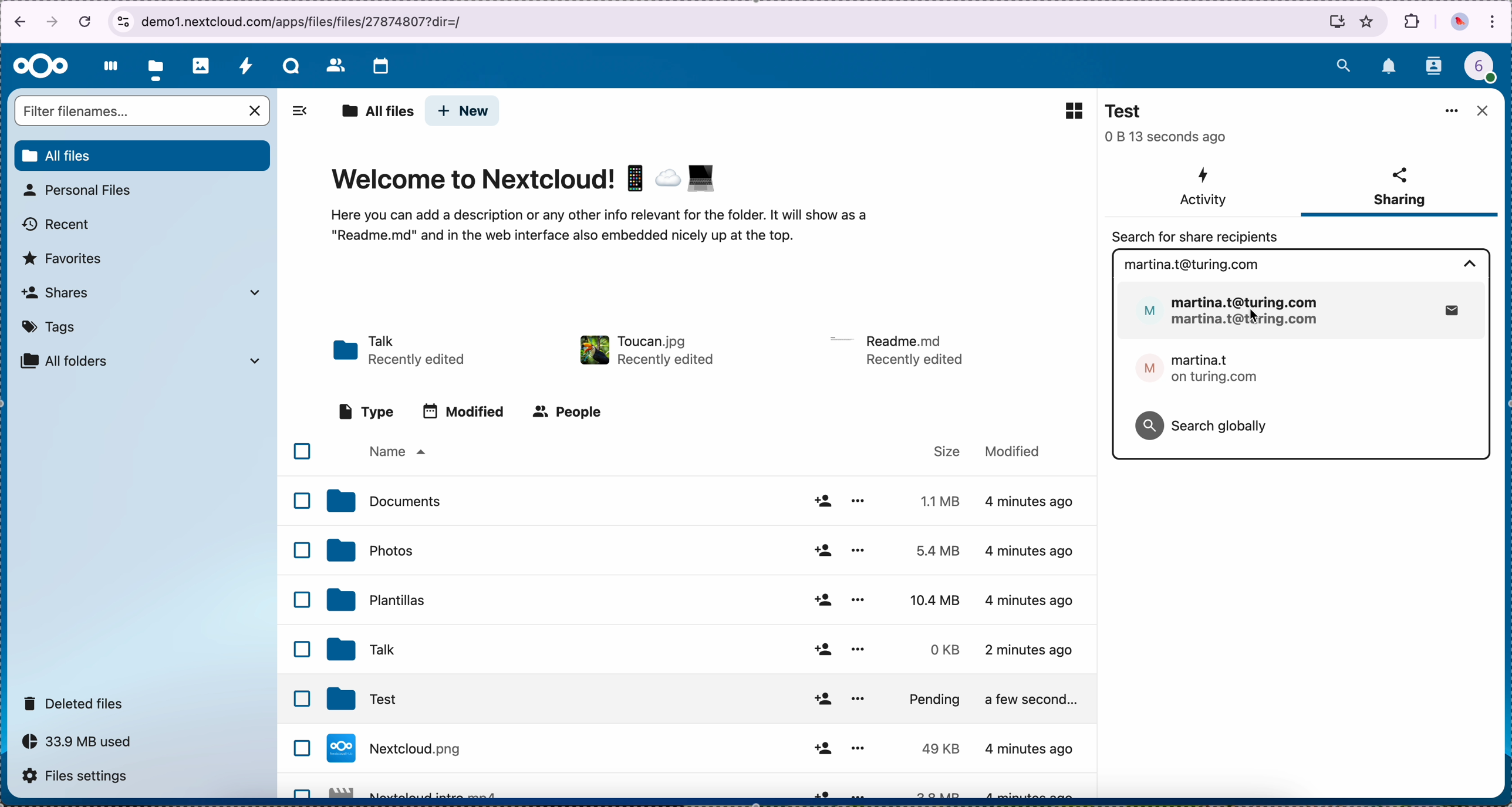 The width and height of the screenshot is (1512, 807). I want to click on created new folder "Test", so click(1384, 123).